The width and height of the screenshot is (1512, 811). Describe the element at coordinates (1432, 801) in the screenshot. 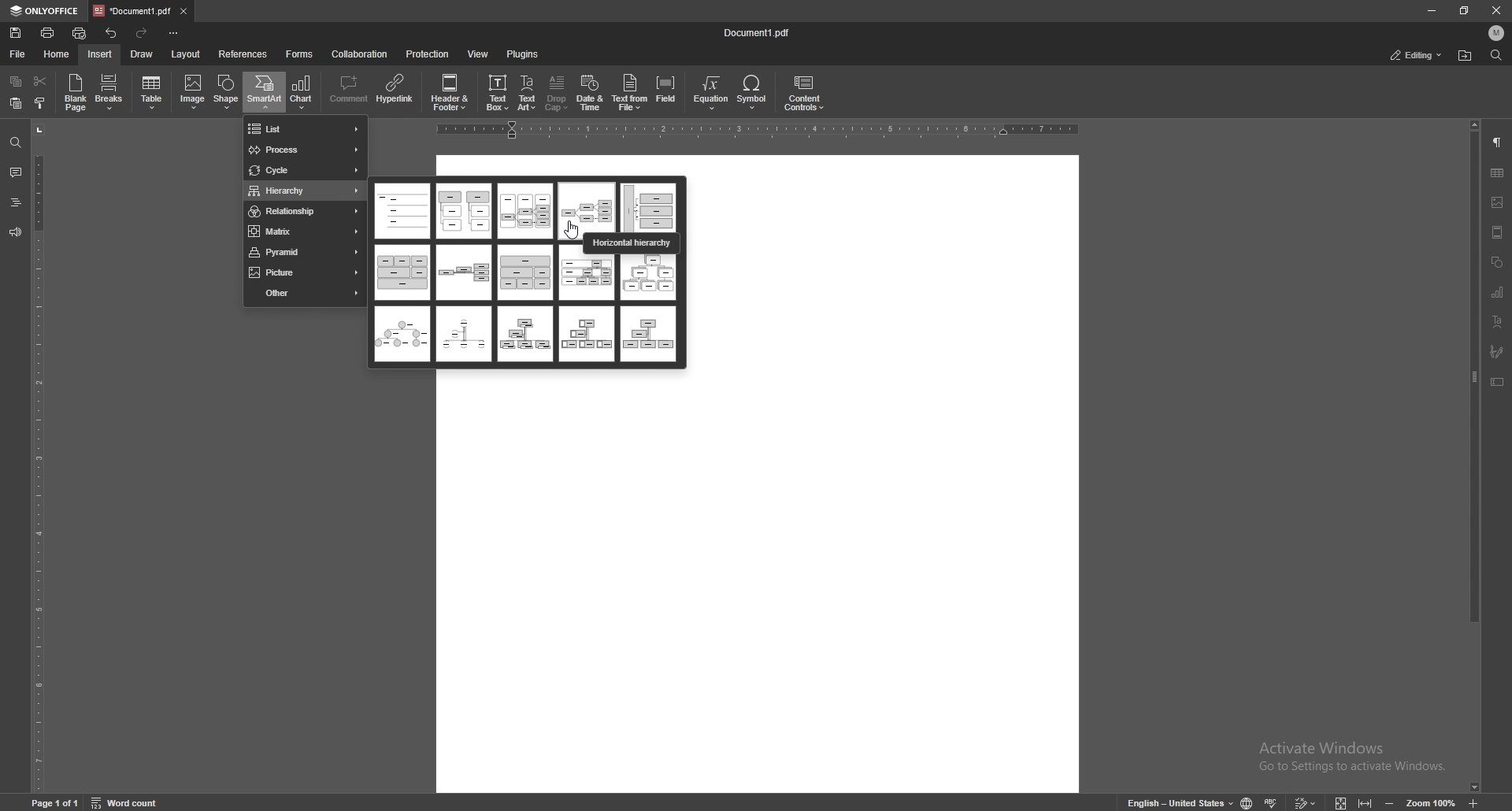

I see `zoom` at that location.